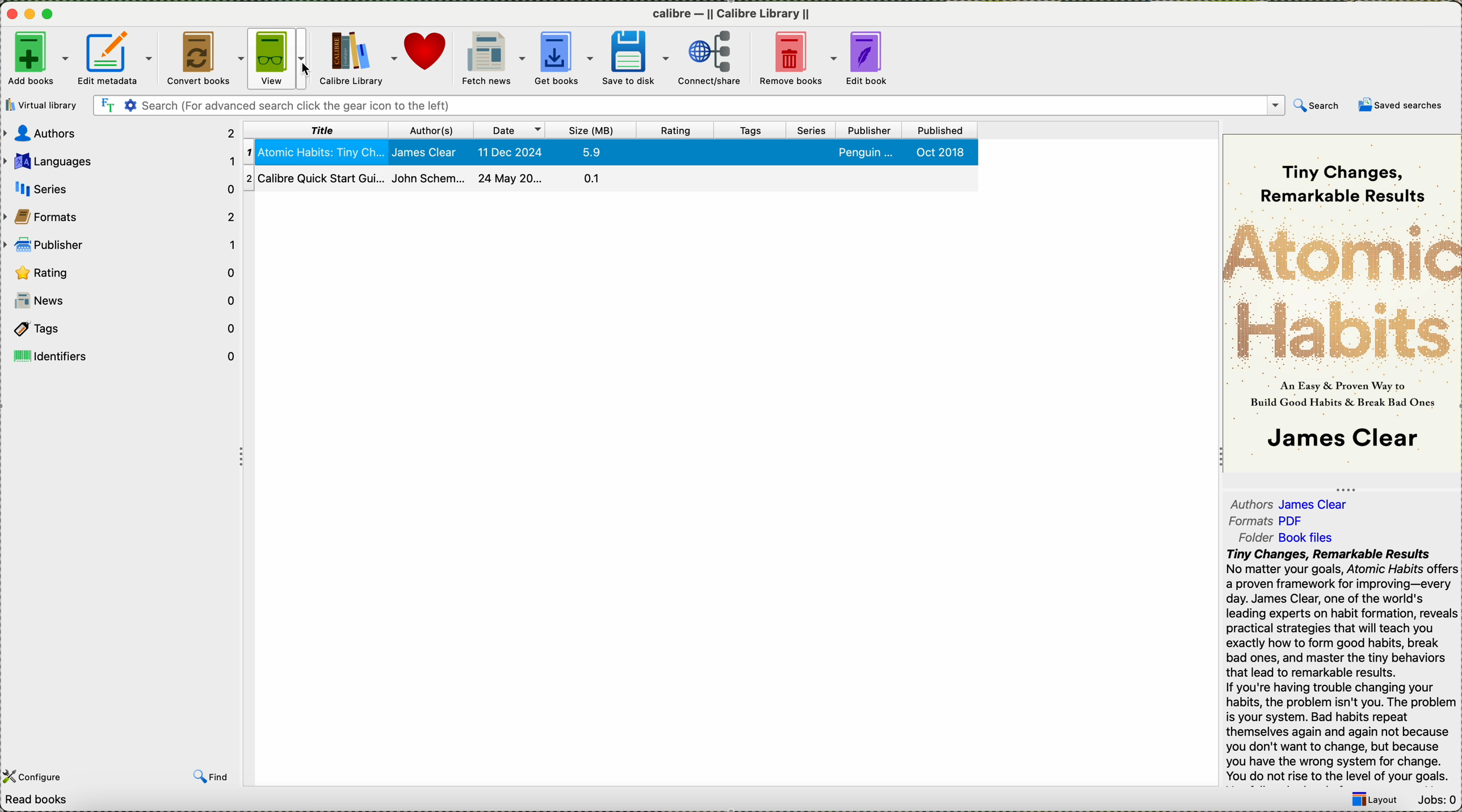 This screenshot has width=1462, height=812. What do you see at coordinates (316, 131) in the screenshot?
I see `title` at bounding box center [316, 131].